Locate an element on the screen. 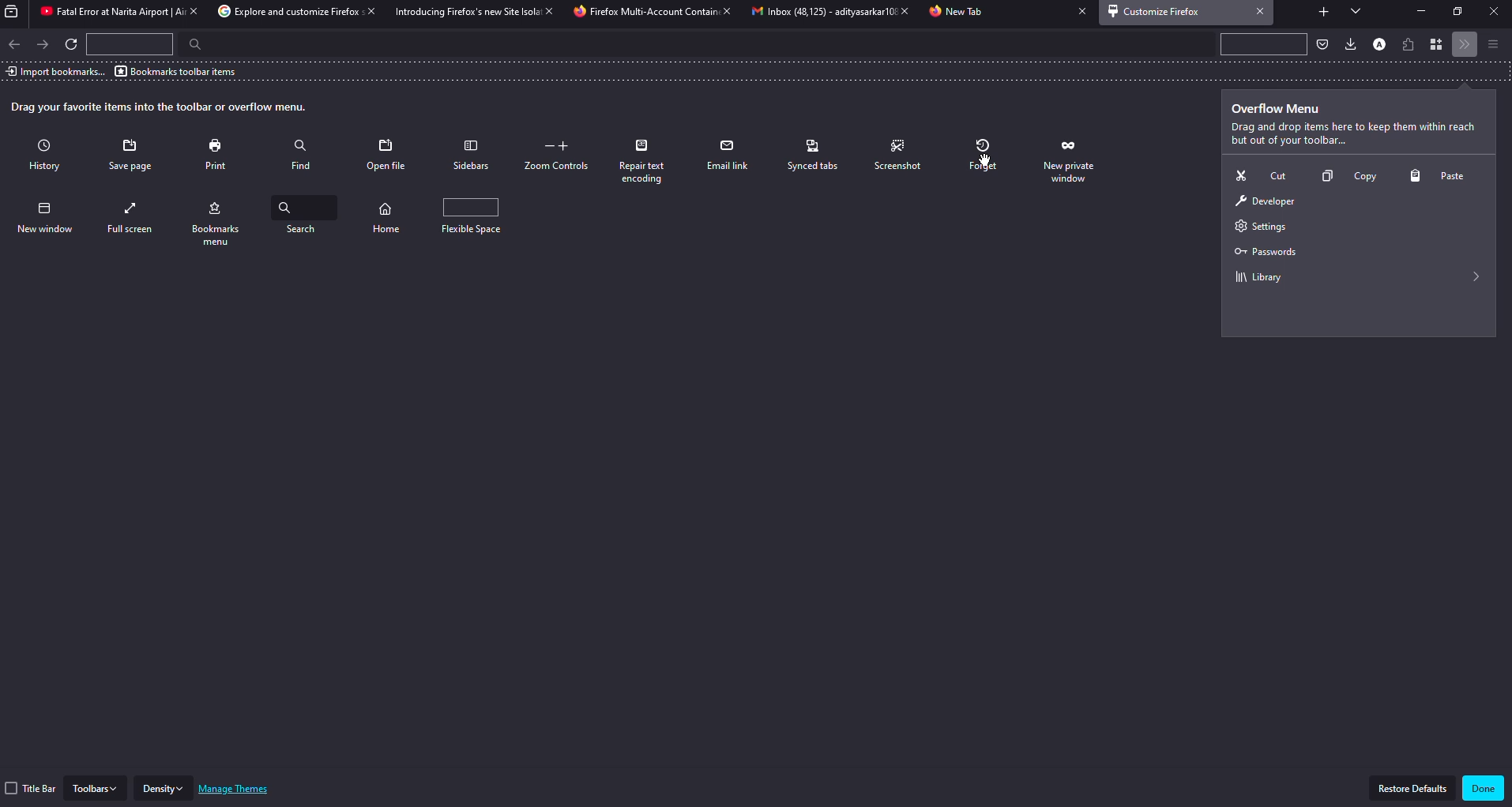 This screenshot has width=1512, height=807. overflow menu is located at coordinates (1279, 109).